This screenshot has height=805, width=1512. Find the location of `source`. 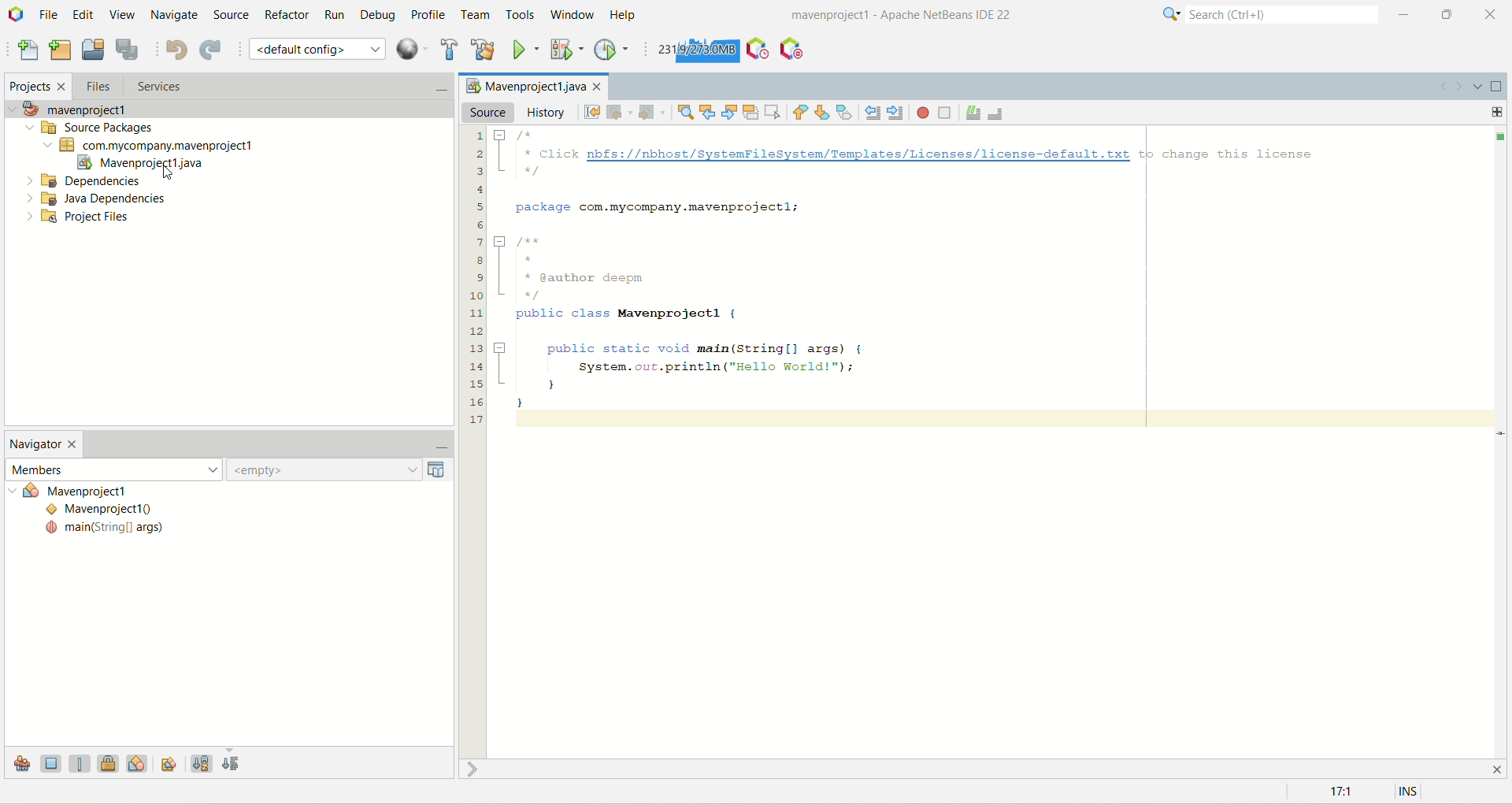

source is located at coordinates (229, 13).